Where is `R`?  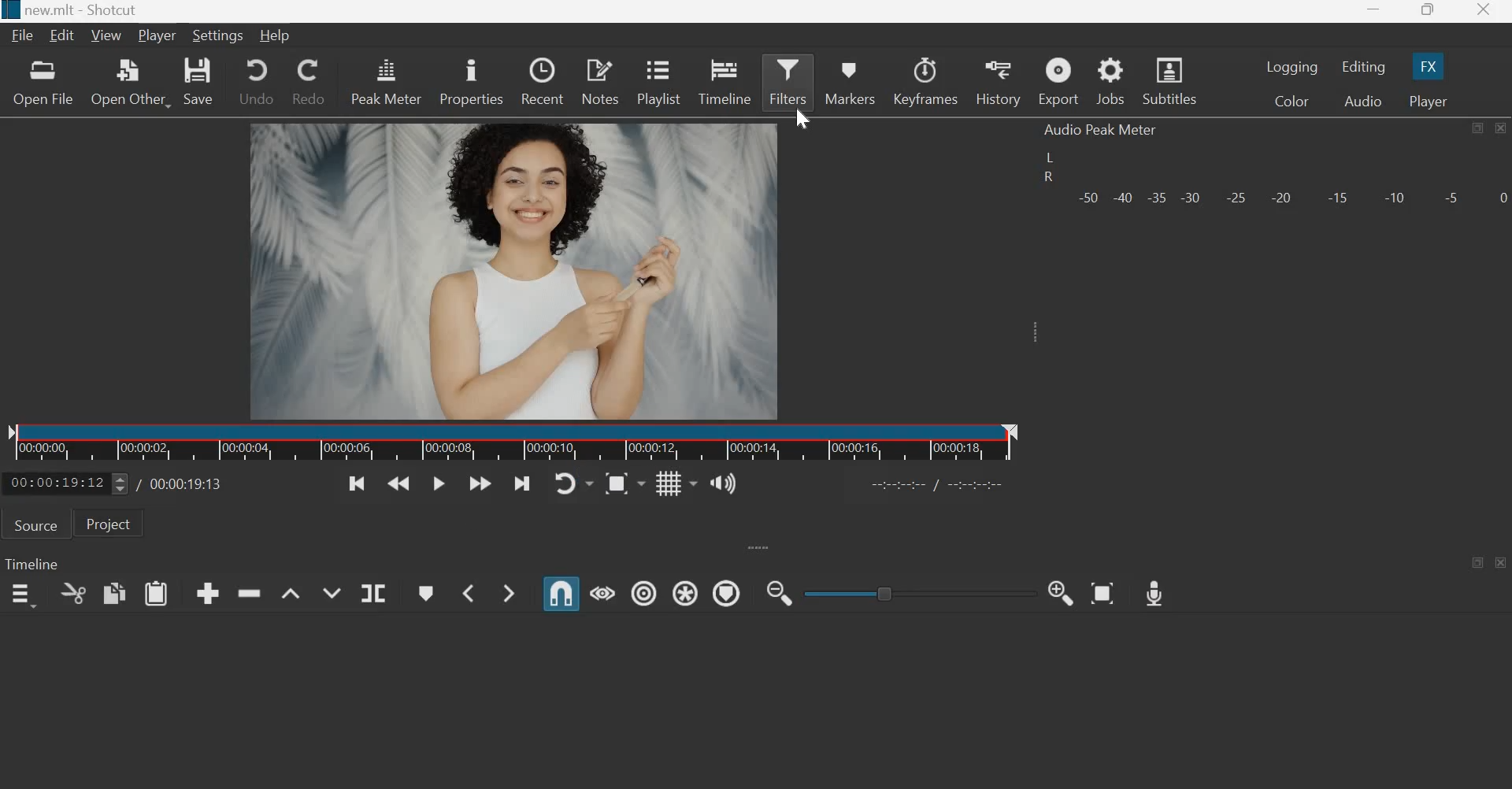
R is located at coordinates (1047, 179).